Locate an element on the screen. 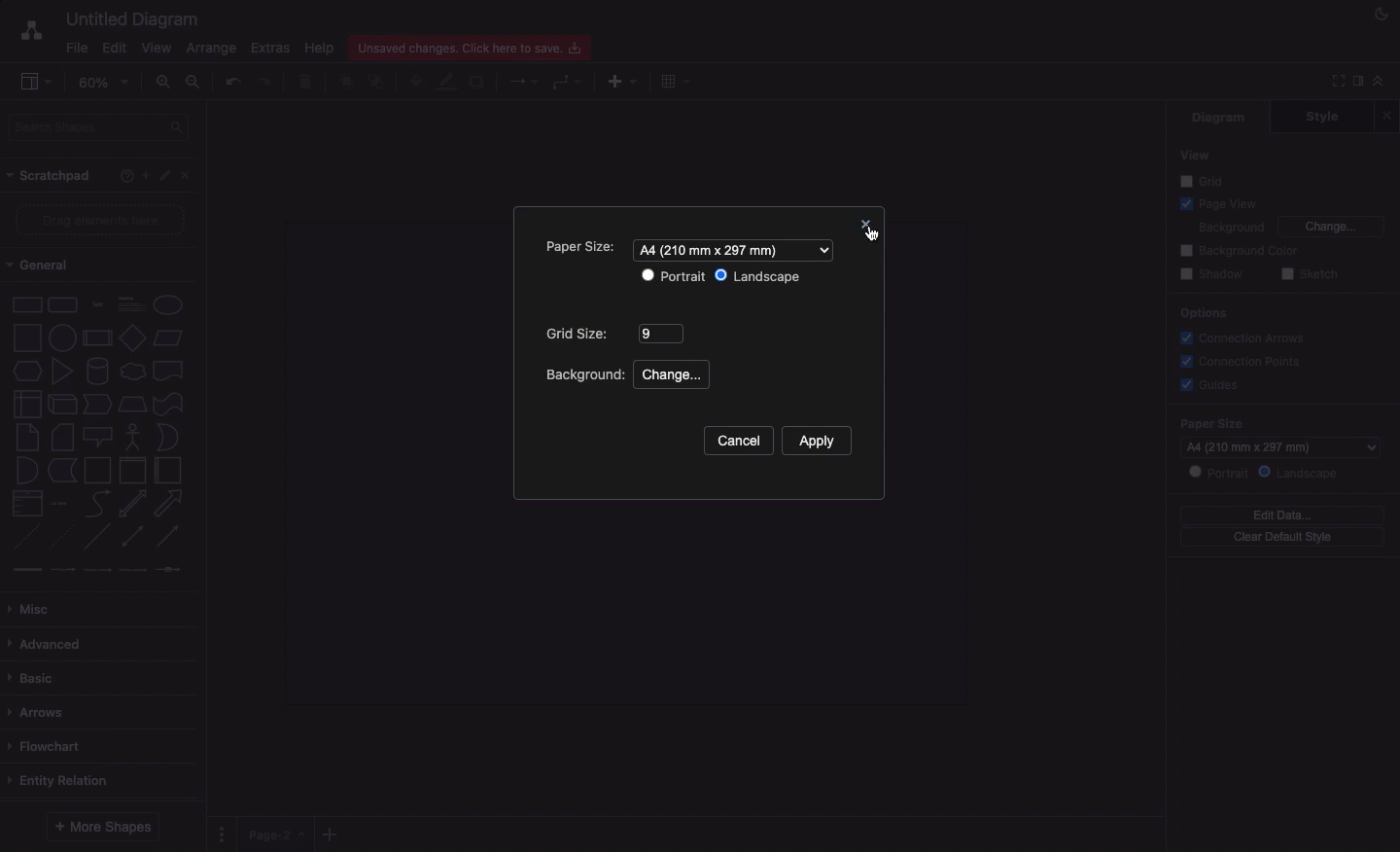  Redo is located at coordinates (267, 83).